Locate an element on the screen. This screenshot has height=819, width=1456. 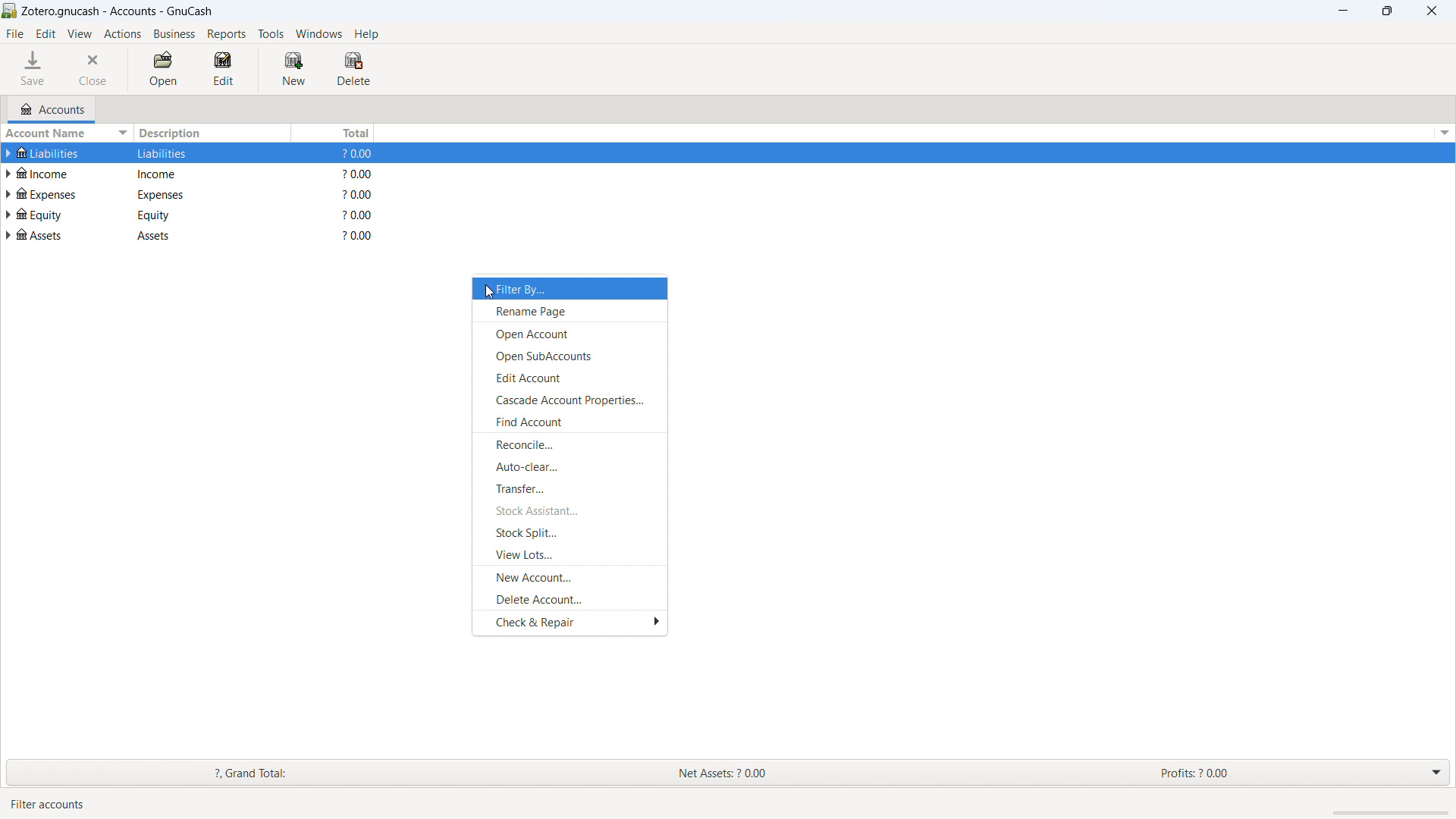
check and repair is located at coordinates (570, 623).